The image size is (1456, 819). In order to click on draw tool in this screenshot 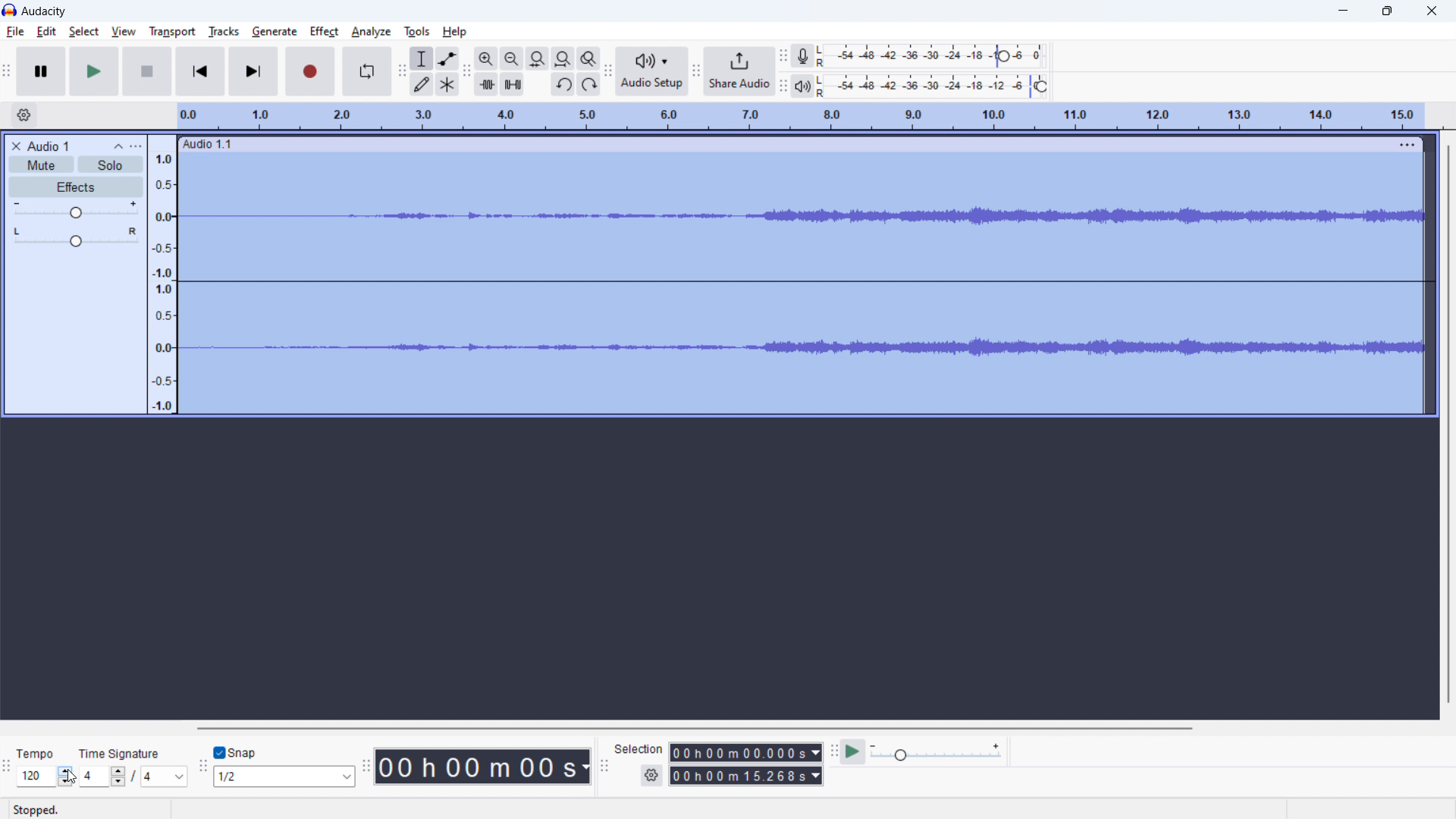, I will do `click(422, 83)`.